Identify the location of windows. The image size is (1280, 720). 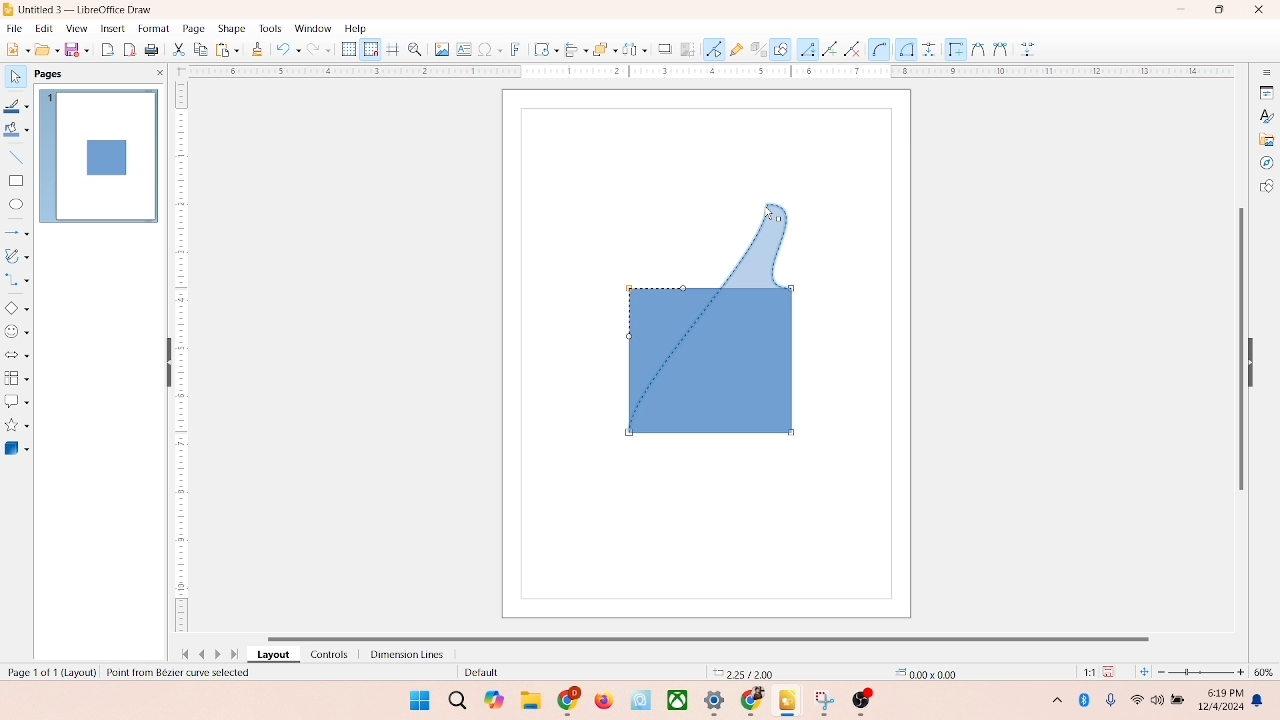
(417, 700).